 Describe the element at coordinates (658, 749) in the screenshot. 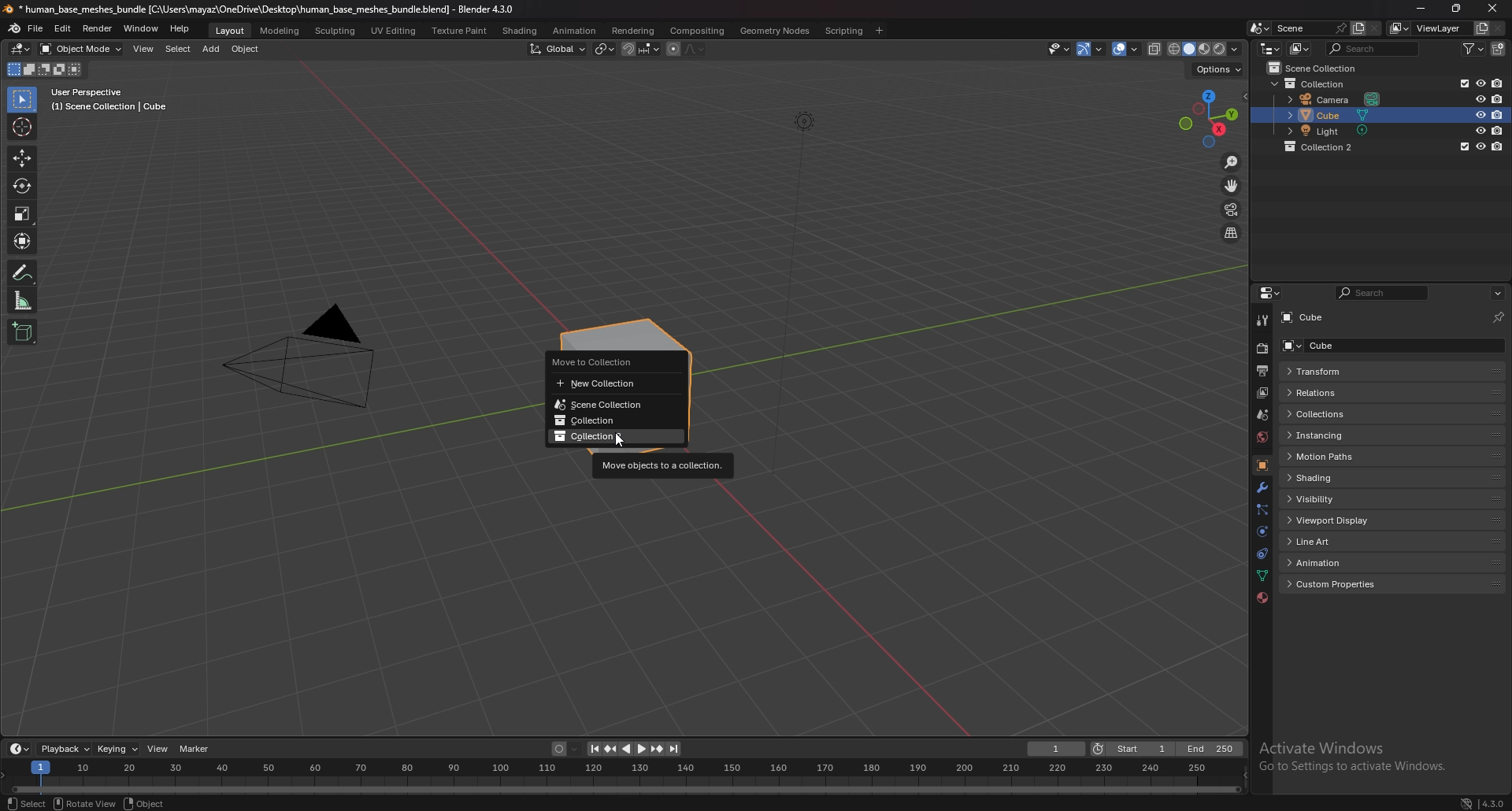

I see `jump to keyframe` at that location.